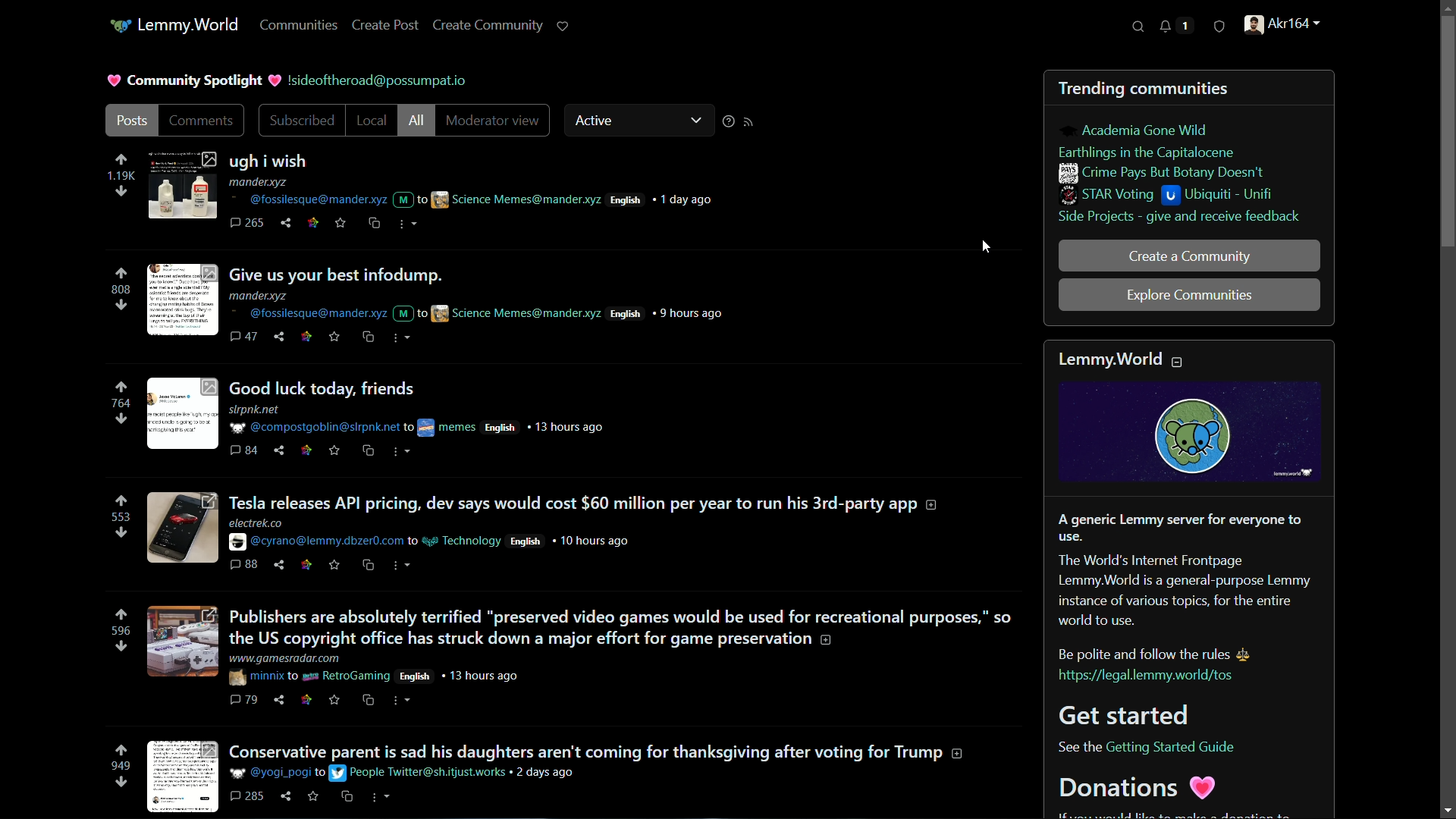  Describe the element at coordinates (333, 566) in the screenshot. I see `save` at that location.